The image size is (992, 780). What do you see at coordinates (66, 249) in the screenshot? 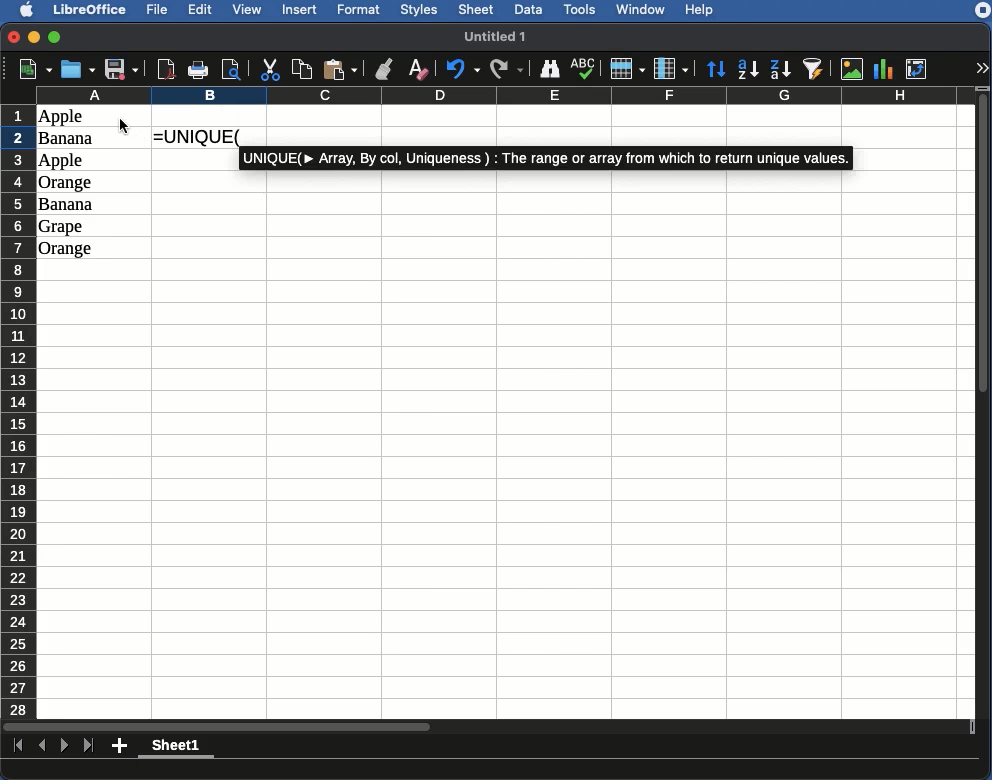
I see `Orange` at bounding box center [66, 249].